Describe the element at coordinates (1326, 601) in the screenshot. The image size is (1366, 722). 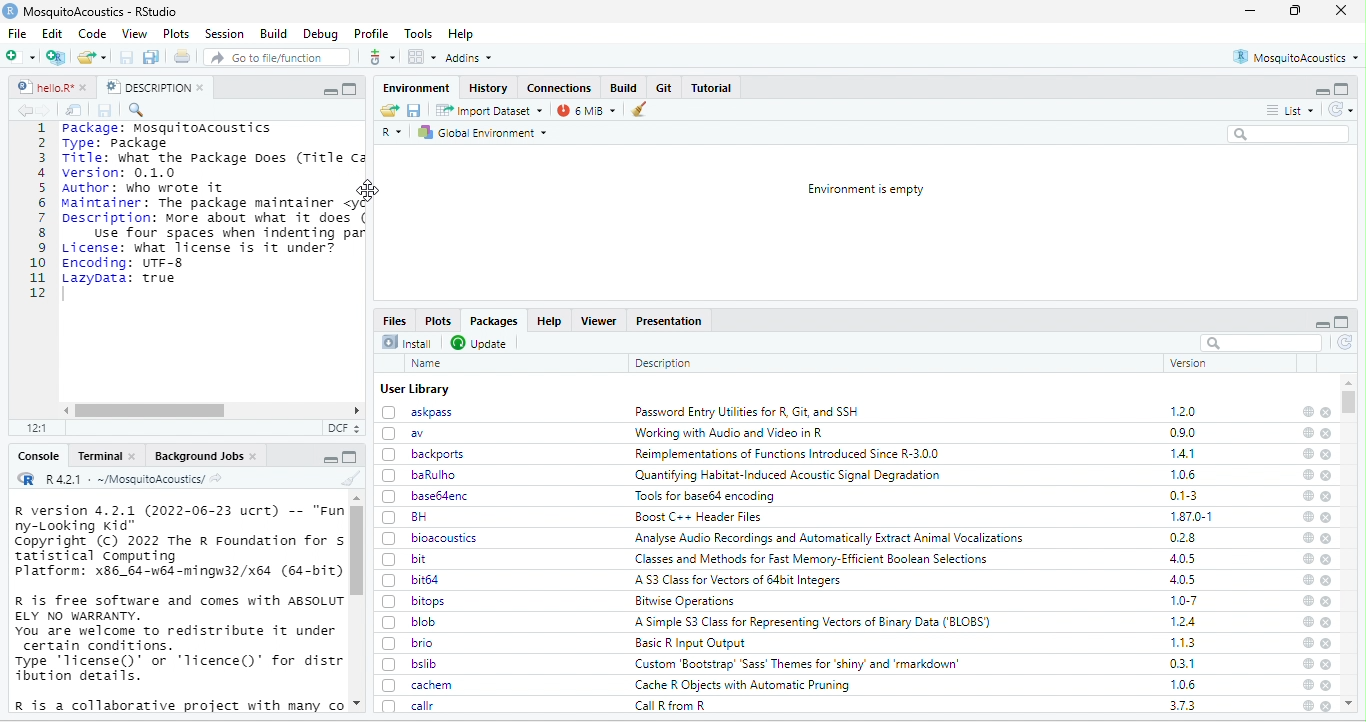
I see `close` at that location.